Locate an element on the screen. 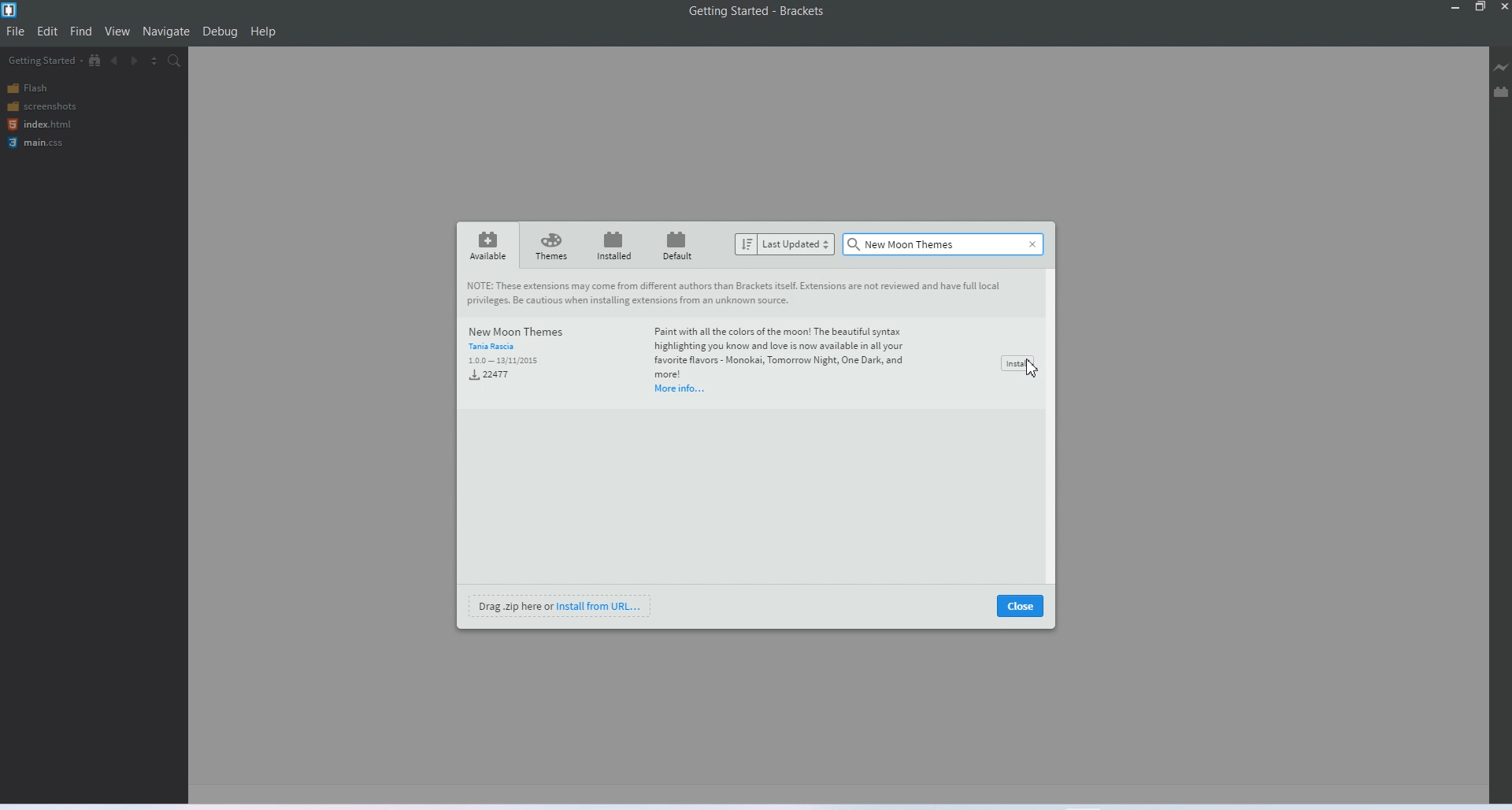 The height and width of the screenshot is (810, 1512). main.css is located at coordinates (38, 143).